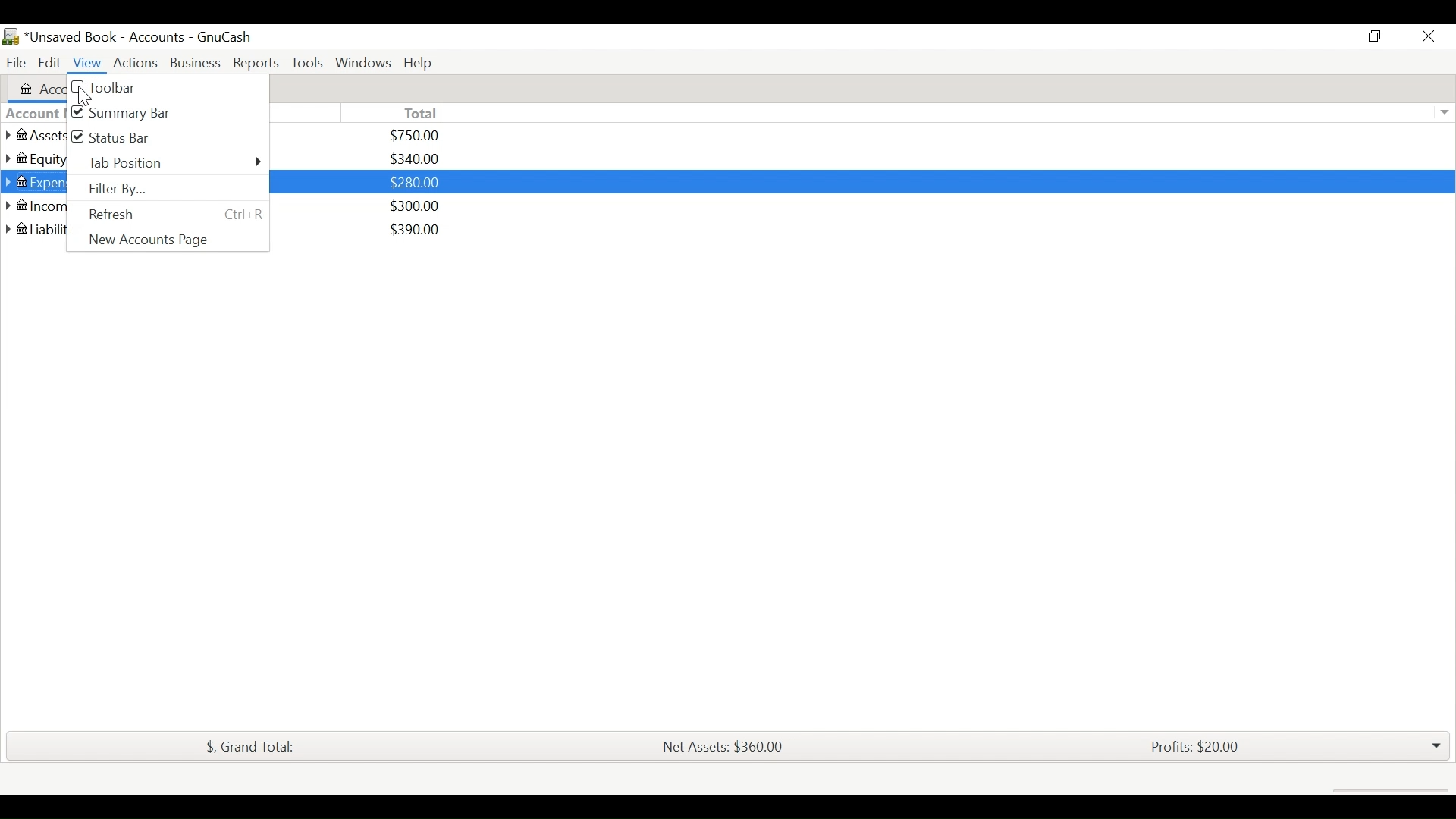 This screenshot has height=819, width=1456. What do you see at coordinates (1373, 39) in the screenshot?
I see `maximize` at bounding box center [1373, 39].